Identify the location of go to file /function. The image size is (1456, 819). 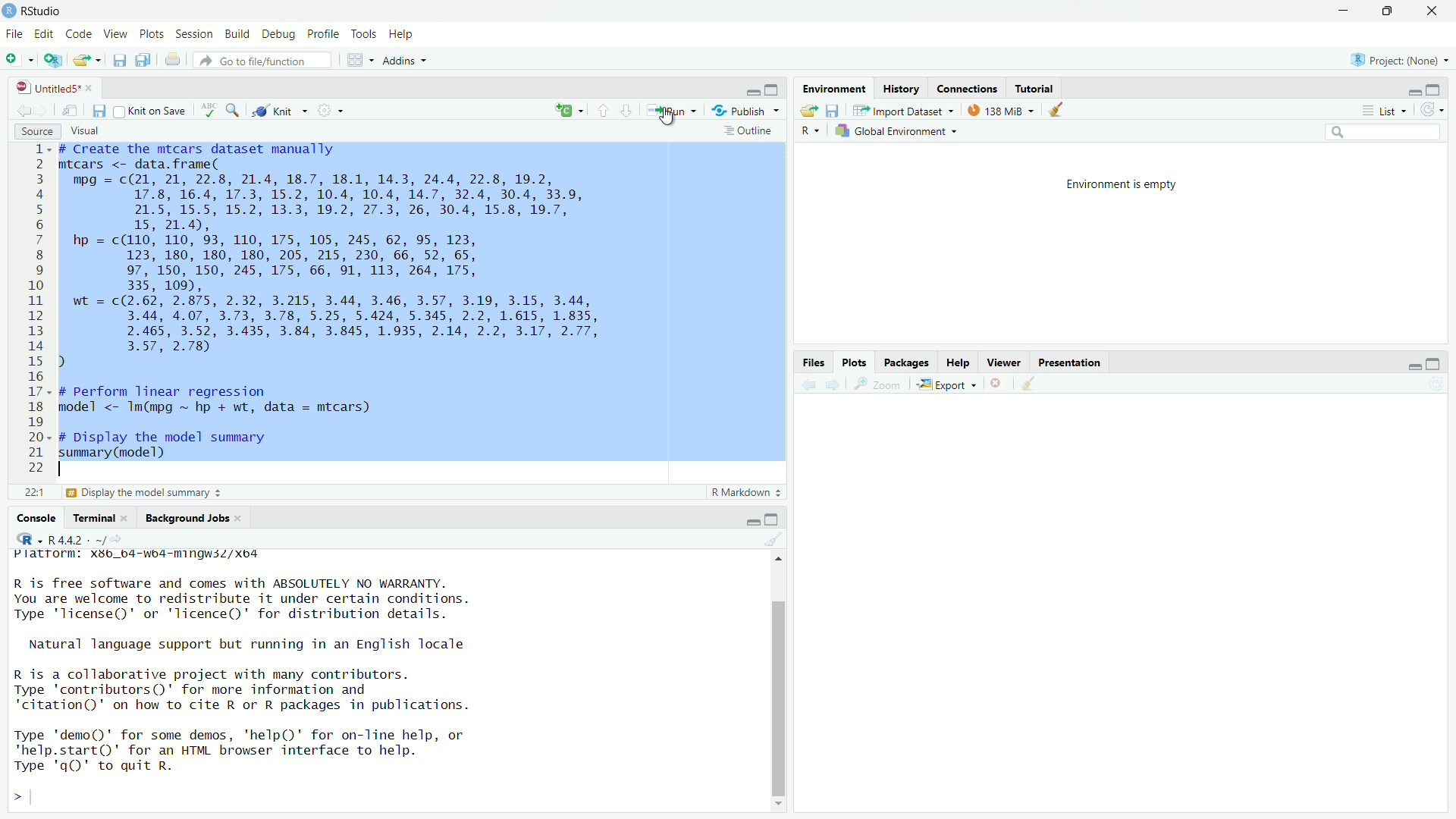
(262, 61).